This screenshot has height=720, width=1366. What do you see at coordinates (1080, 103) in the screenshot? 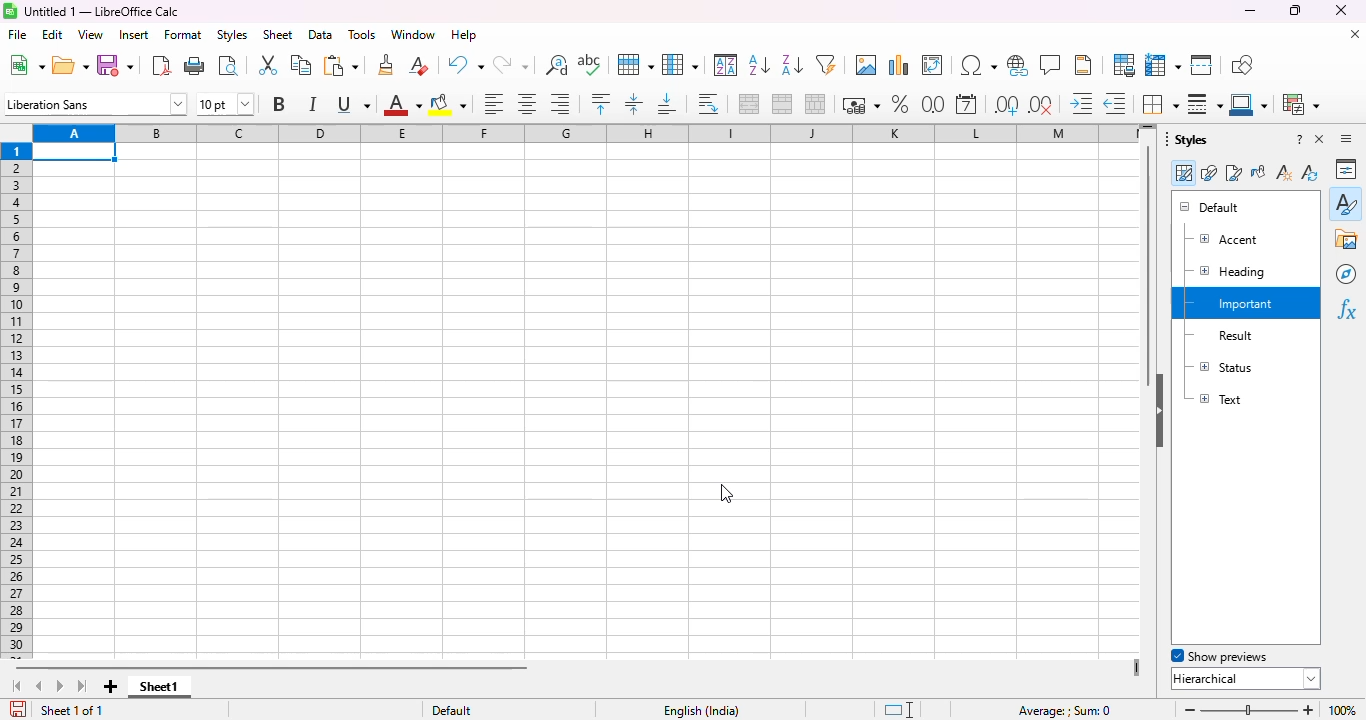
I see `increase indent` at bounding box center [1080, 103].